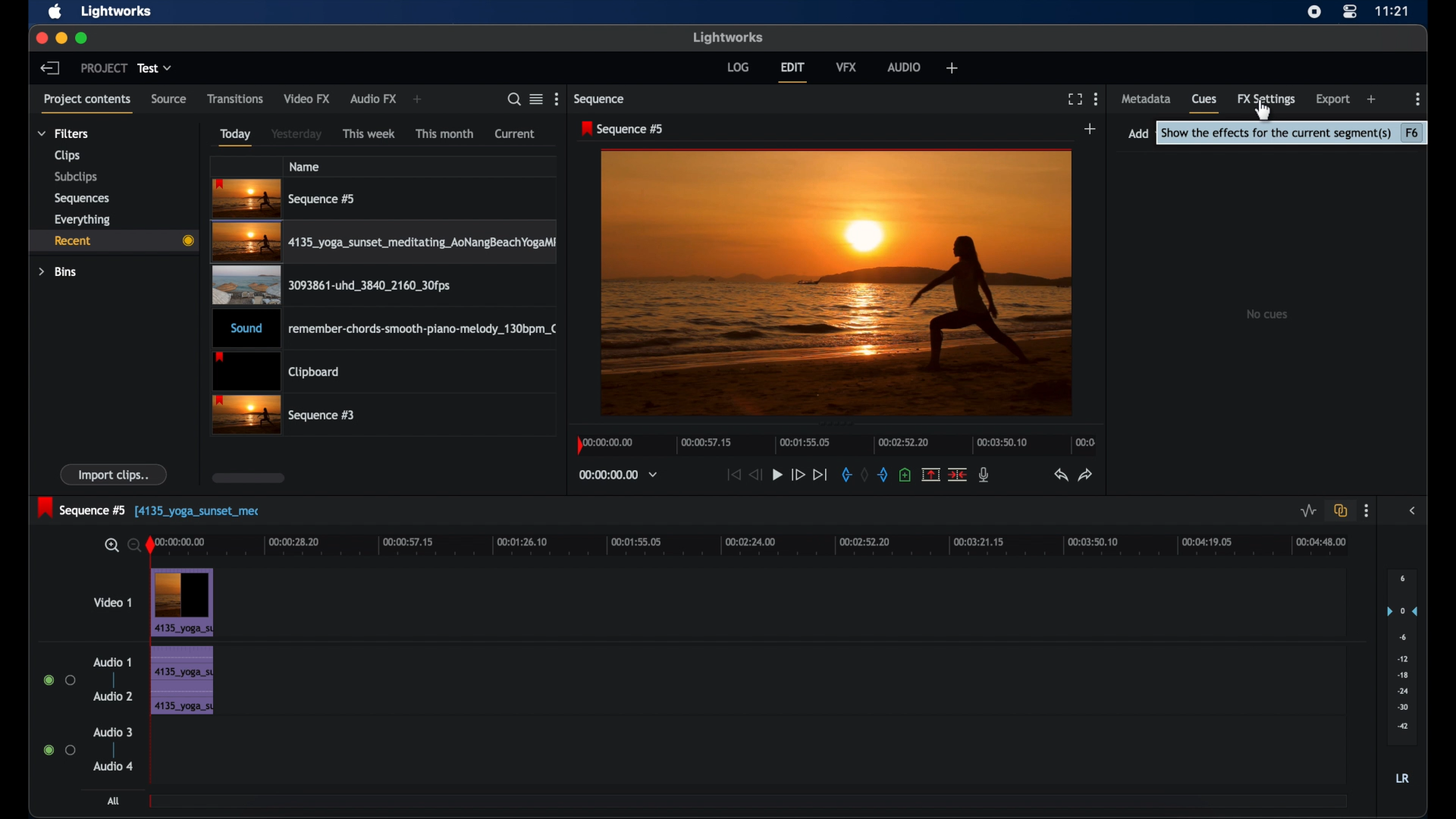 This screenshot has width=1456, height=819. I want to click on audio fx, so click(373, 99).